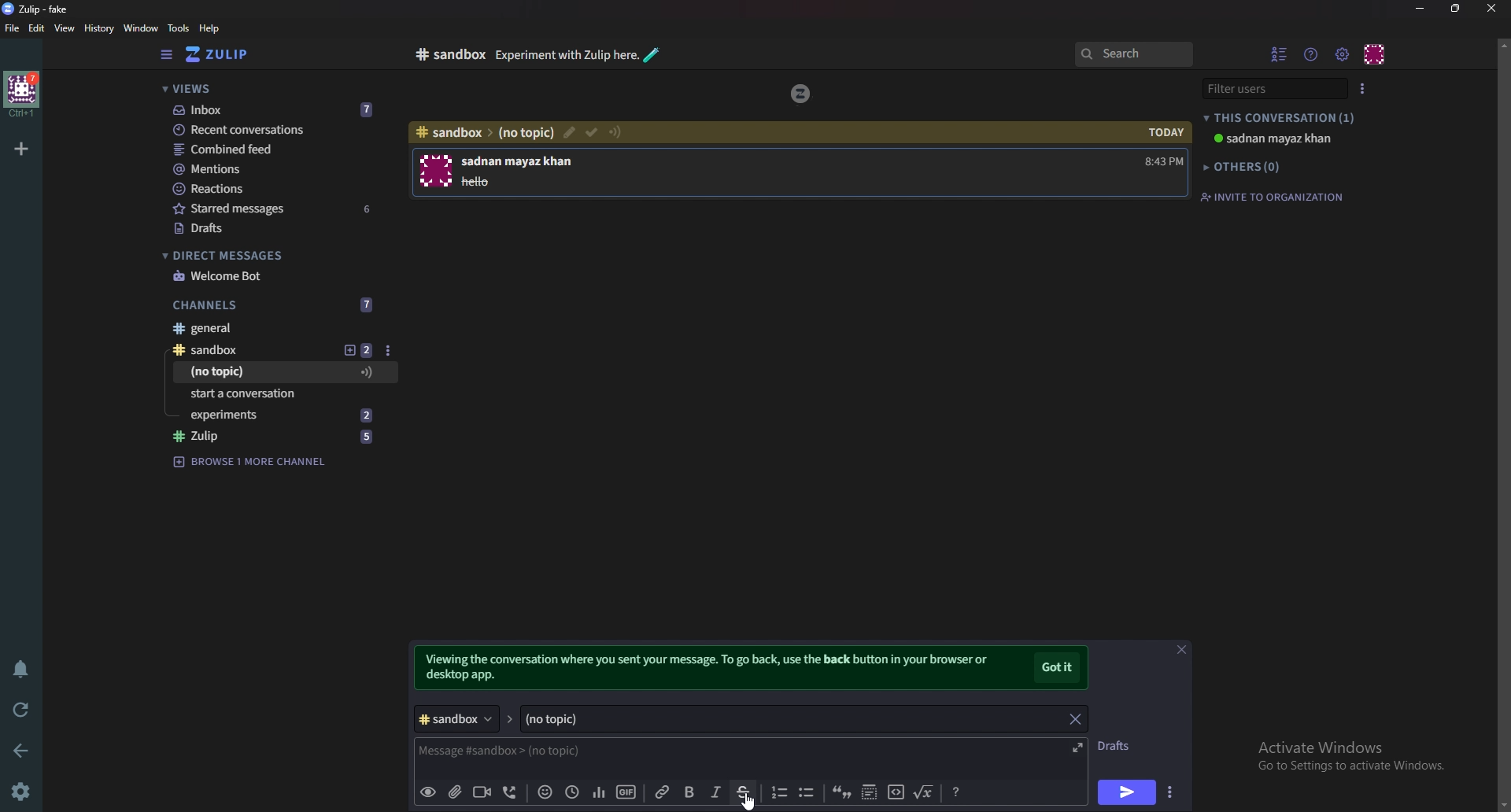 The height and width of the screenshot is (812, 1511). I want to click on Bold, so click(687, 794).